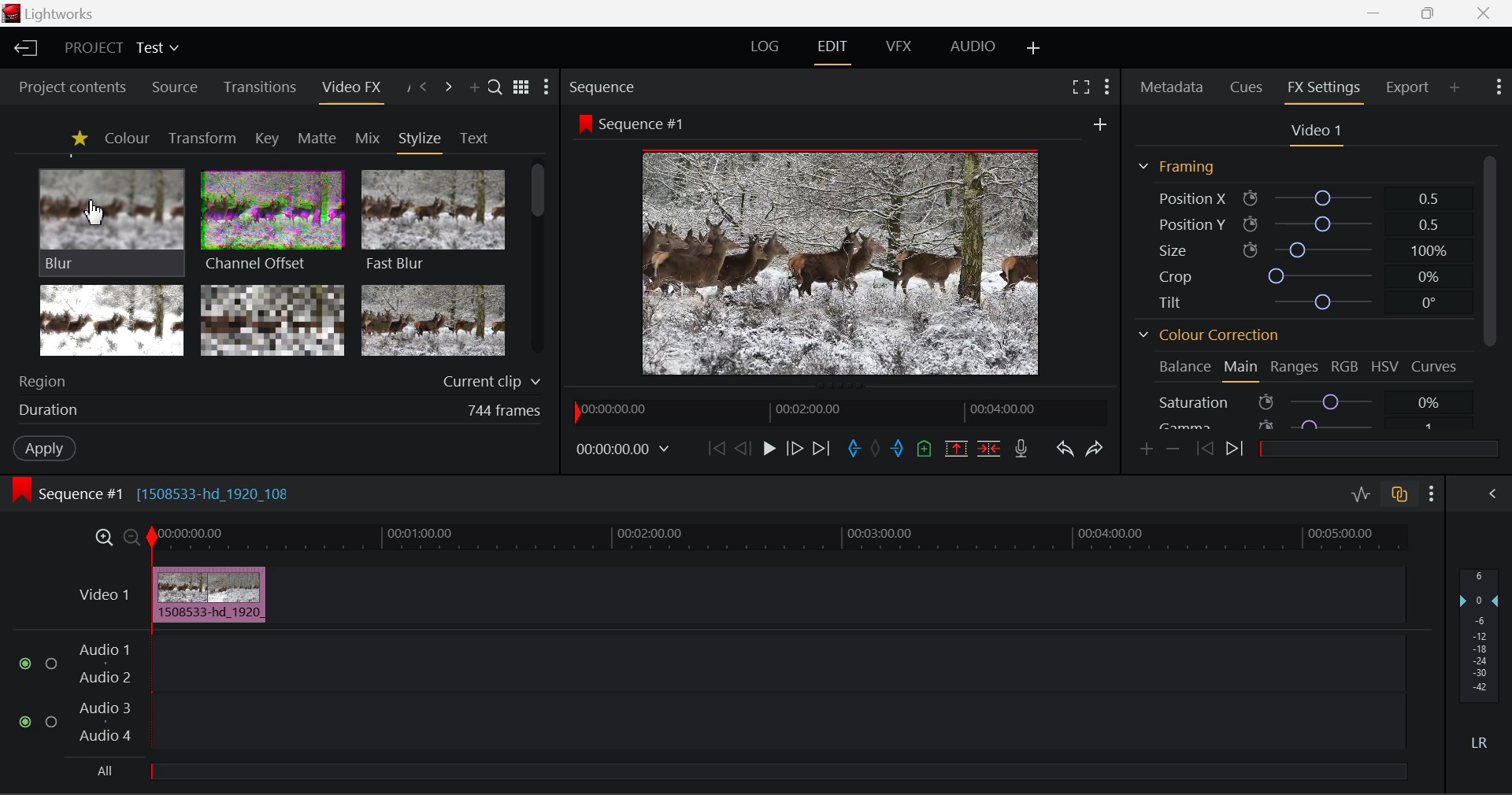  What do you see at coordinates (1407, 84) in the screenshot?
I see `Export` at bounding box center [1407, 84].